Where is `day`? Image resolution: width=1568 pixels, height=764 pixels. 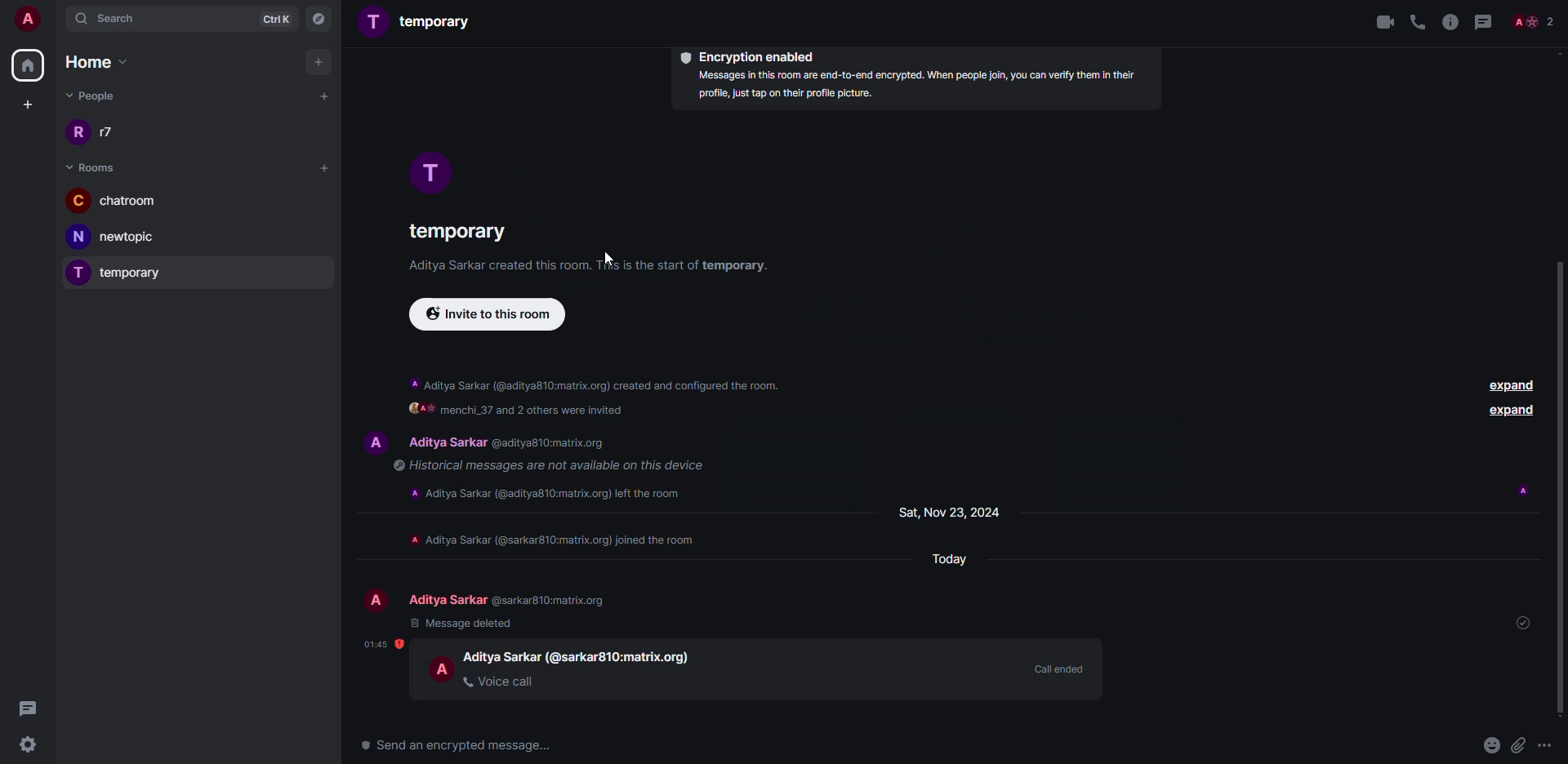
day is located at coordinates (952, 559).